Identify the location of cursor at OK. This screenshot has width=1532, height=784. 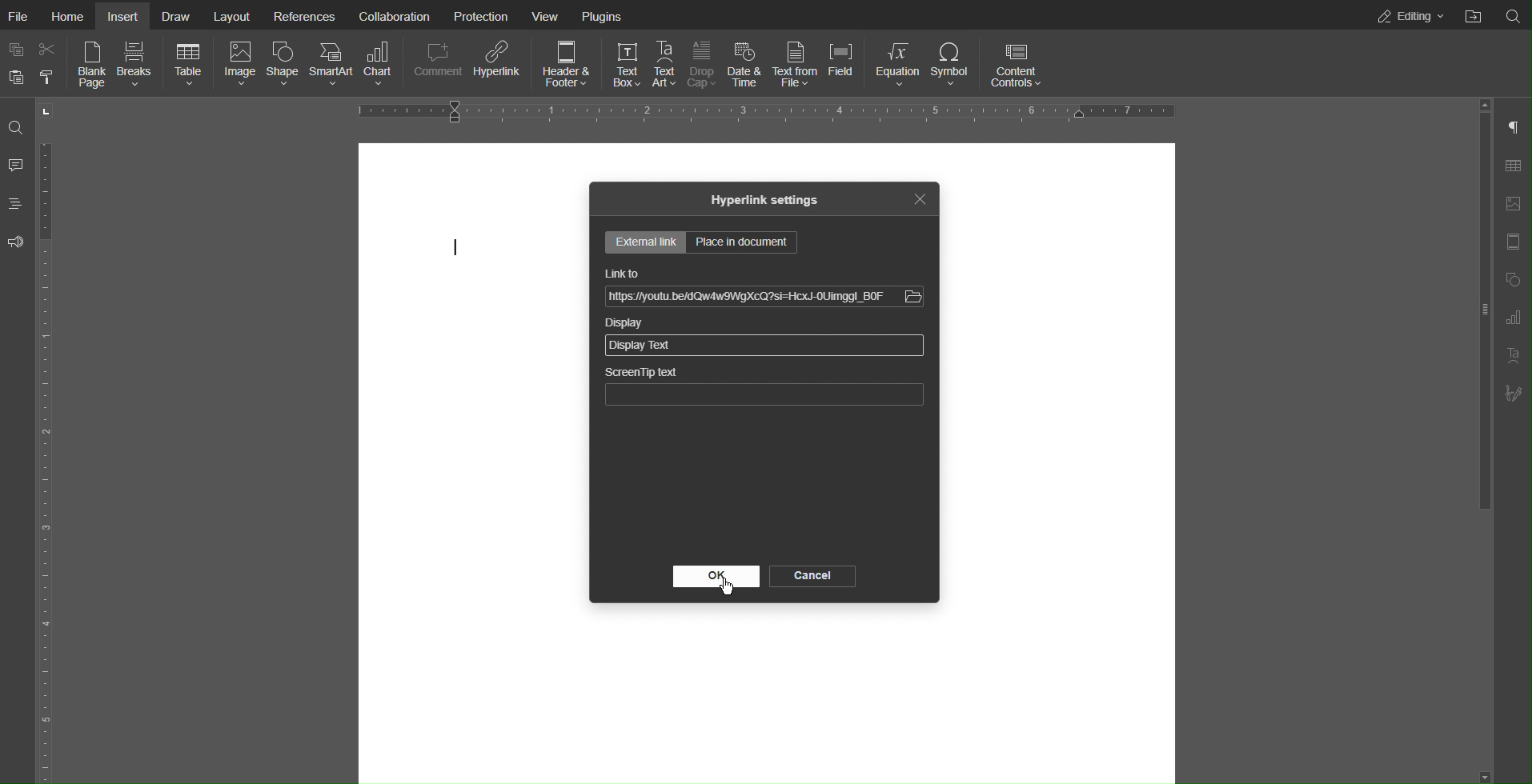
(721, 589).